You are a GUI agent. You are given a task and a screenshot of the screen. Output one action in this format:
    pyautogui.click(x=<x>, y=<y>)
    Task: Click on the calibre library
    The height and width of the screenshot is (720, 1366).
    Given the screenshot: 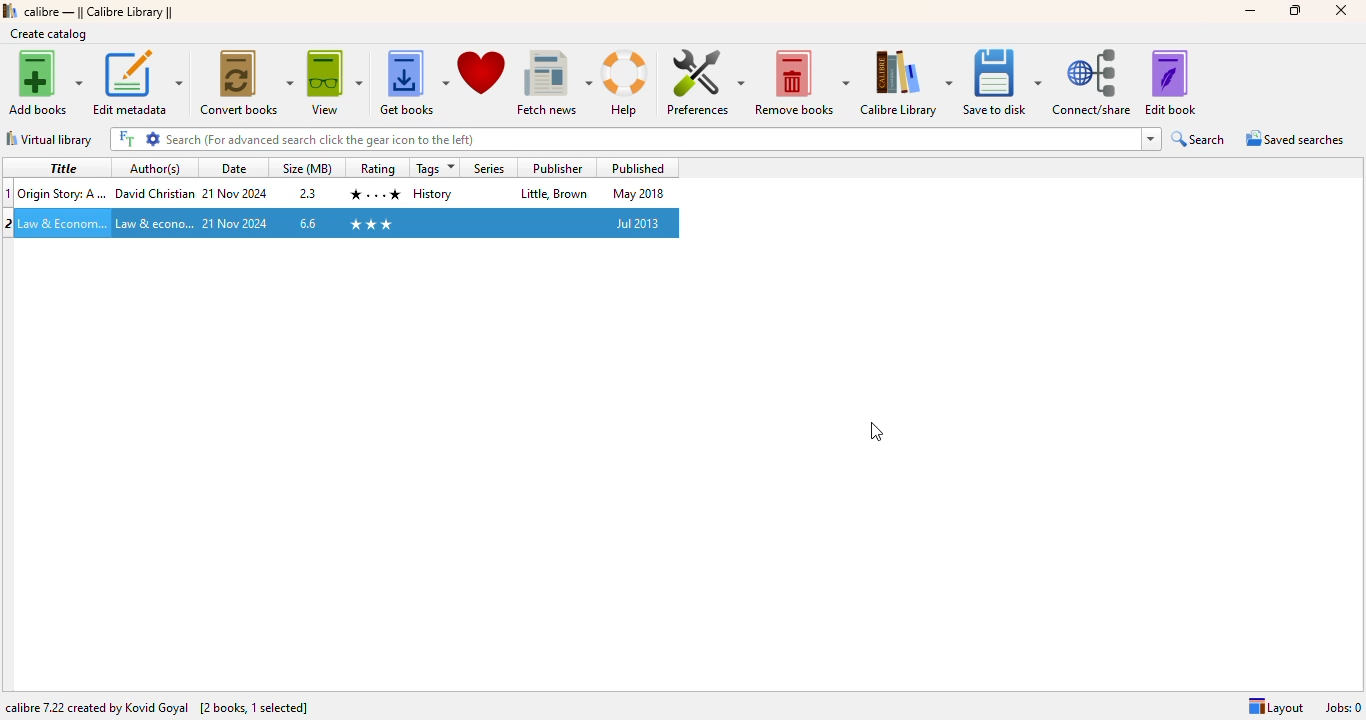 What is the action you would take?
    pyautogui.click(x=100, y=11)
    